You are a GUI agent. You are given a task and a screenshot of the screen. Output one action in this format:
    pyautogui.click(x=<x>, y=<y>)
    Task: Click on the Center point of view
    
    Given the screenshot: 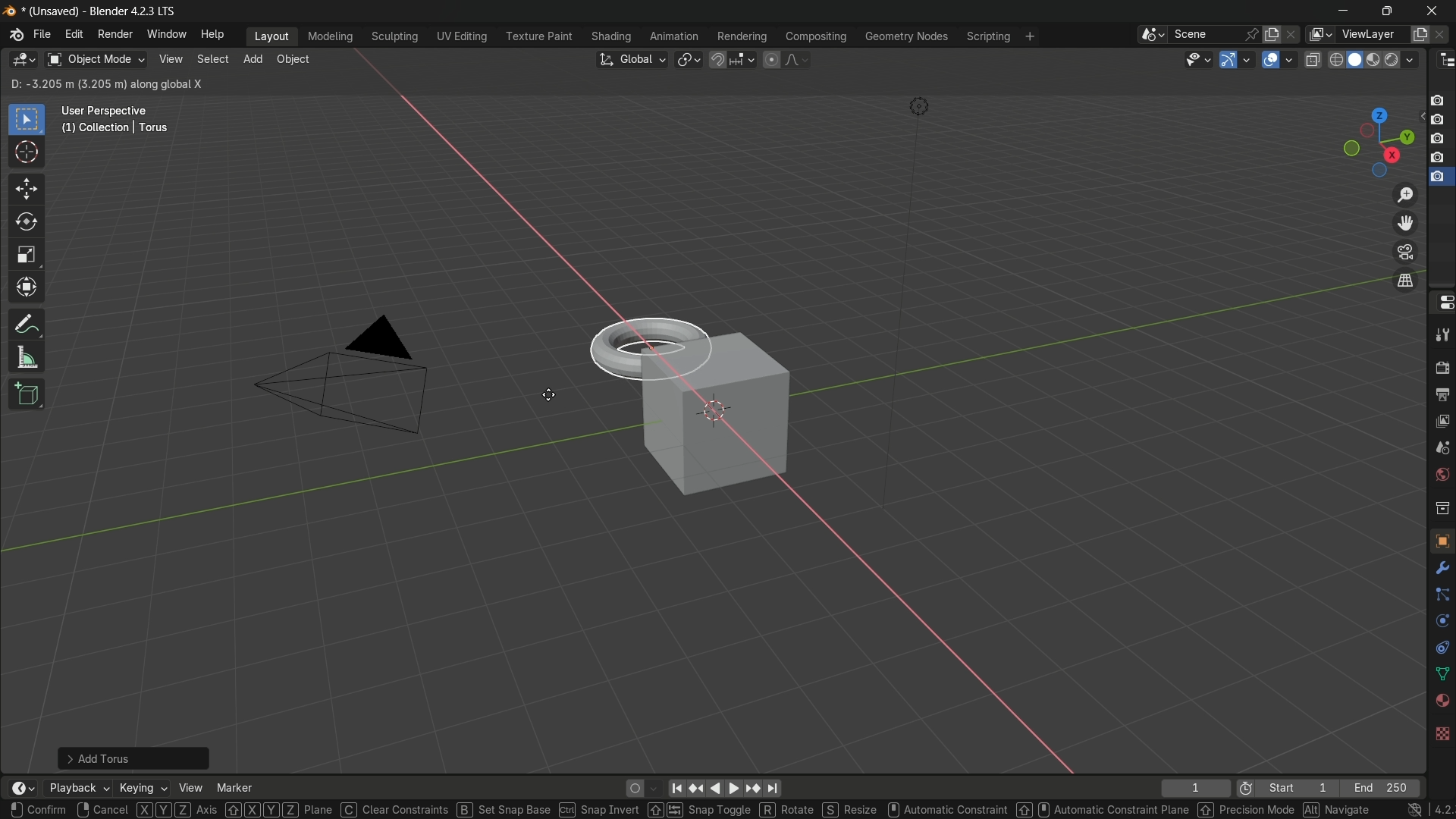 What is the action you would take?
    pyautogui.click(x=715, y=411)
    